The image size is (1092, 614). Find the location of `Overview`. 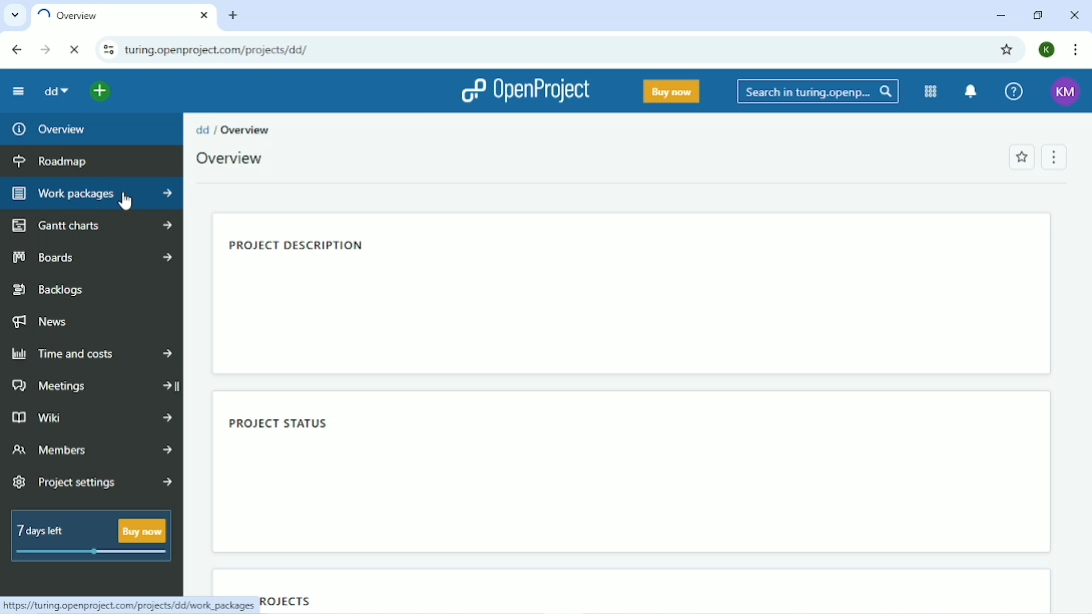

Overview is located at coordinates (251, 129).